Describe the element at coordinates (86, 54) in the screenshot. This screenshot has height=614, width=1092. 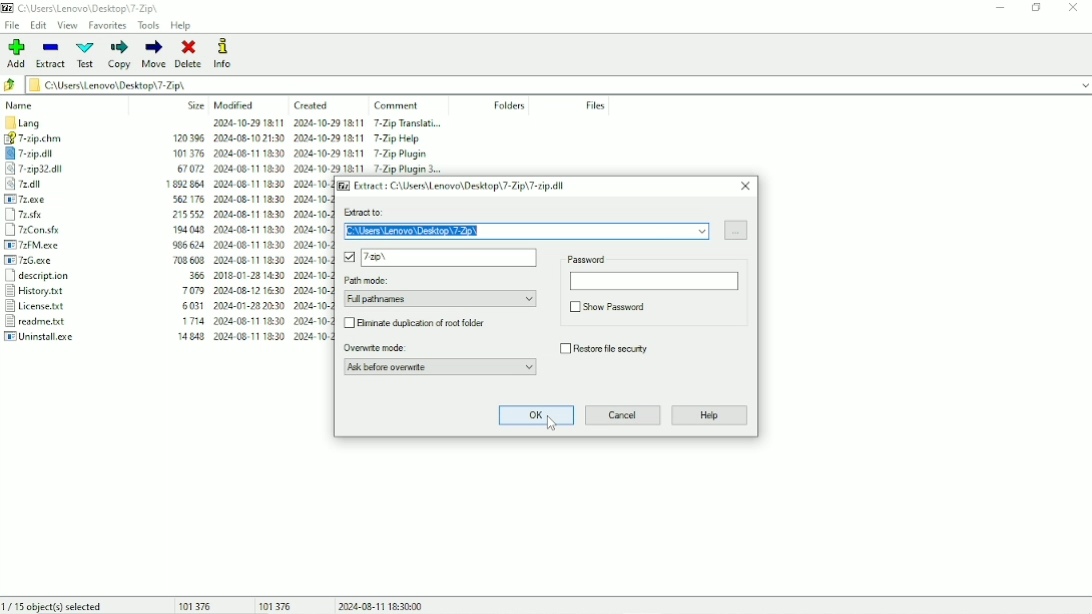
I see `Test` at that location.